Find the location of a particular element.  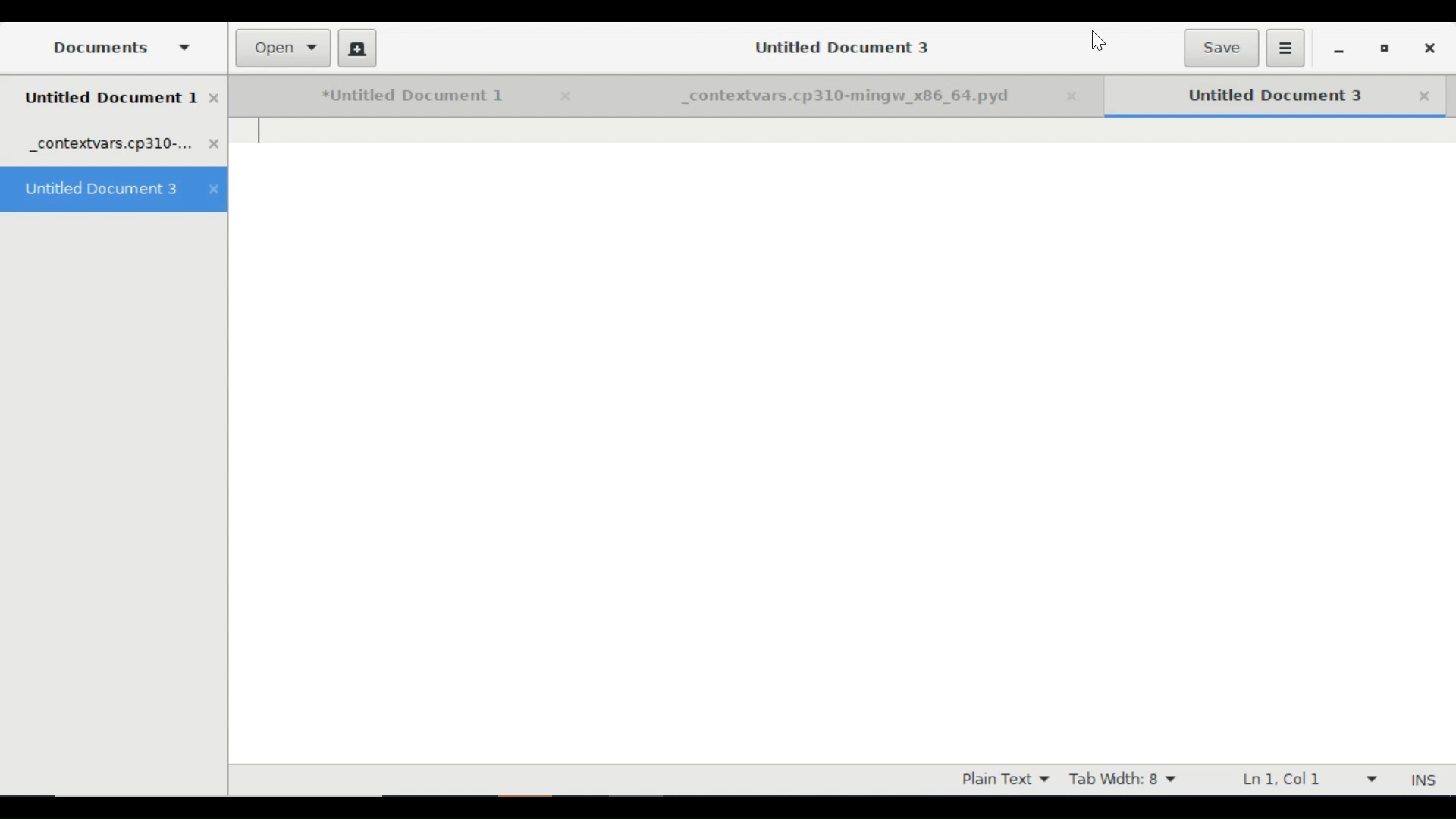

Side Pane is located at coordinates (118, 47).